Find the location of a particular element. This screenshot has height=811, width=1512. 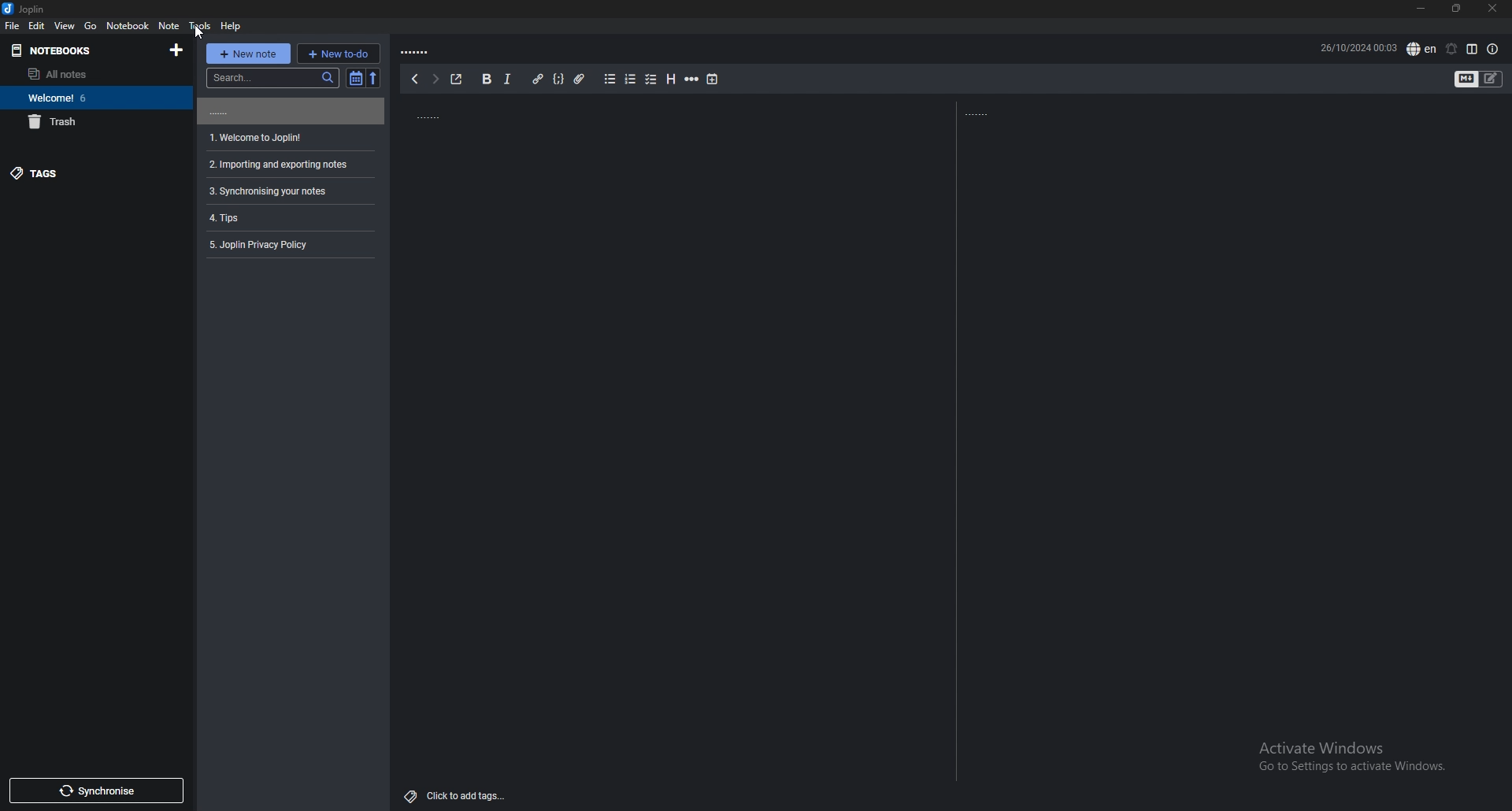

1.Welcome to Joplin! is located at coordinates (258, 136).